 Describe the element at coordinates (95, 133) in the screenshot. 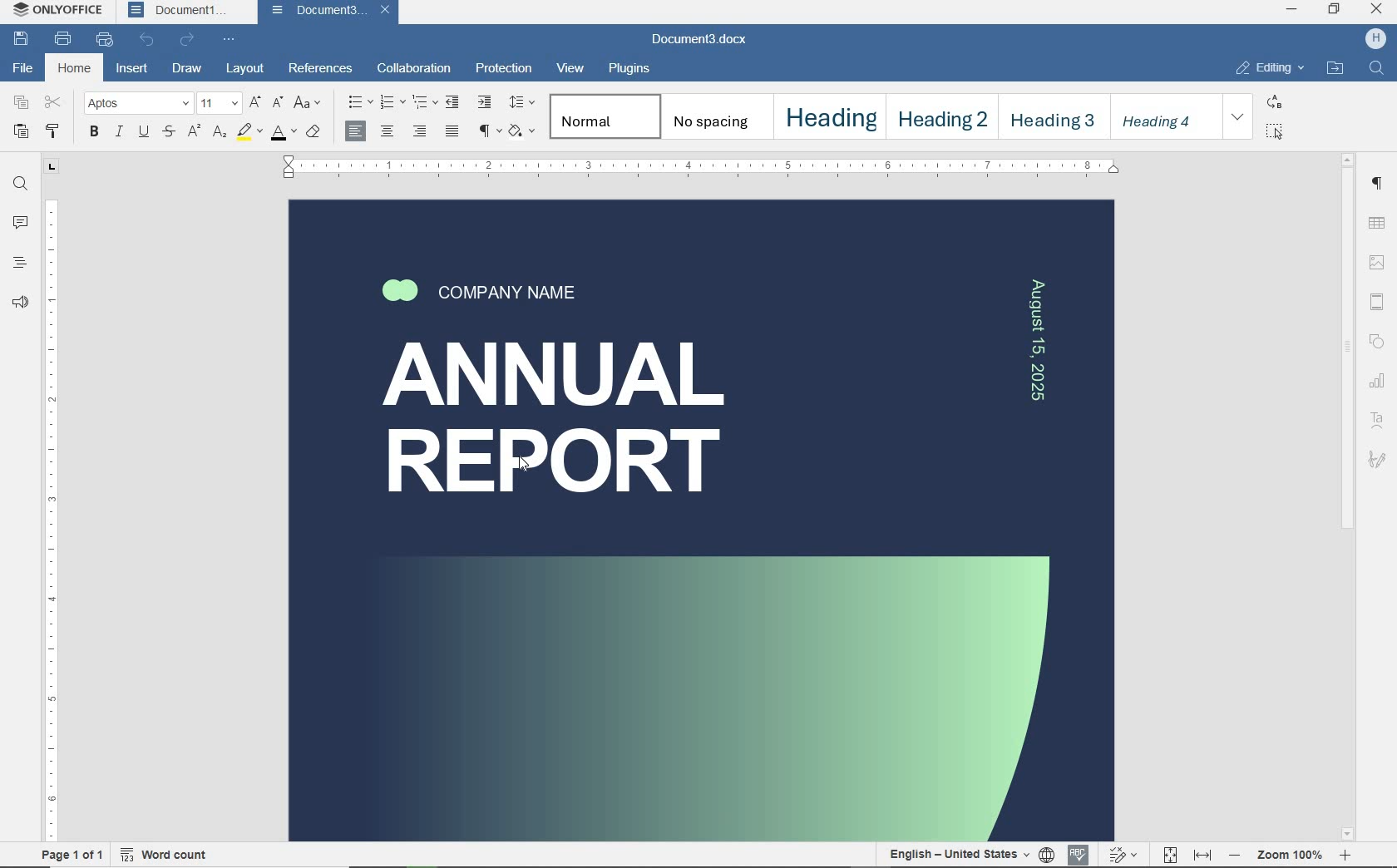

I see `bold` at that location.